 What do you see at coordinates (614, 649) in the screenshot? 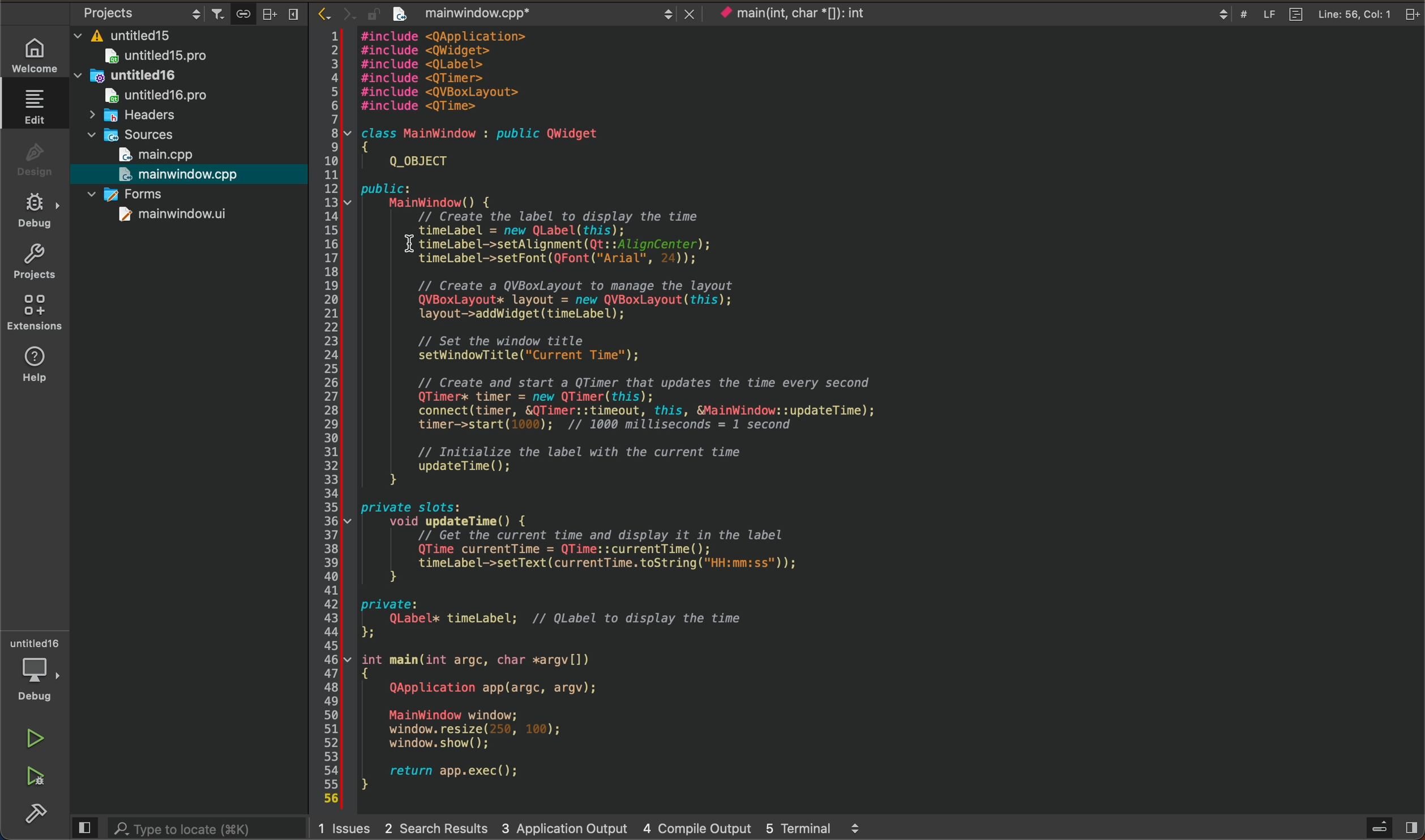
I see `~~

35 private slots:

36 v void updateTime() {

37 // Get the current time and display it in the label
38 QTime currentTime = QTime::currentTime();

39 timeLabel->setText(currentTime. toString ("HH:mm:ss"));
40 }

41

42 private:

x] QLabelx timeLabel; // QLabel to display the time
4 };

45

46 v int main(int argc, char *argv[l)

47 {

48 QApplication app(argc, argv);

49

50 MainWindow window;

51 window. resize(250, 100);

52 window. show();

58]

54 return app.exec();

55) }

56` at bounding box center [614, 649].